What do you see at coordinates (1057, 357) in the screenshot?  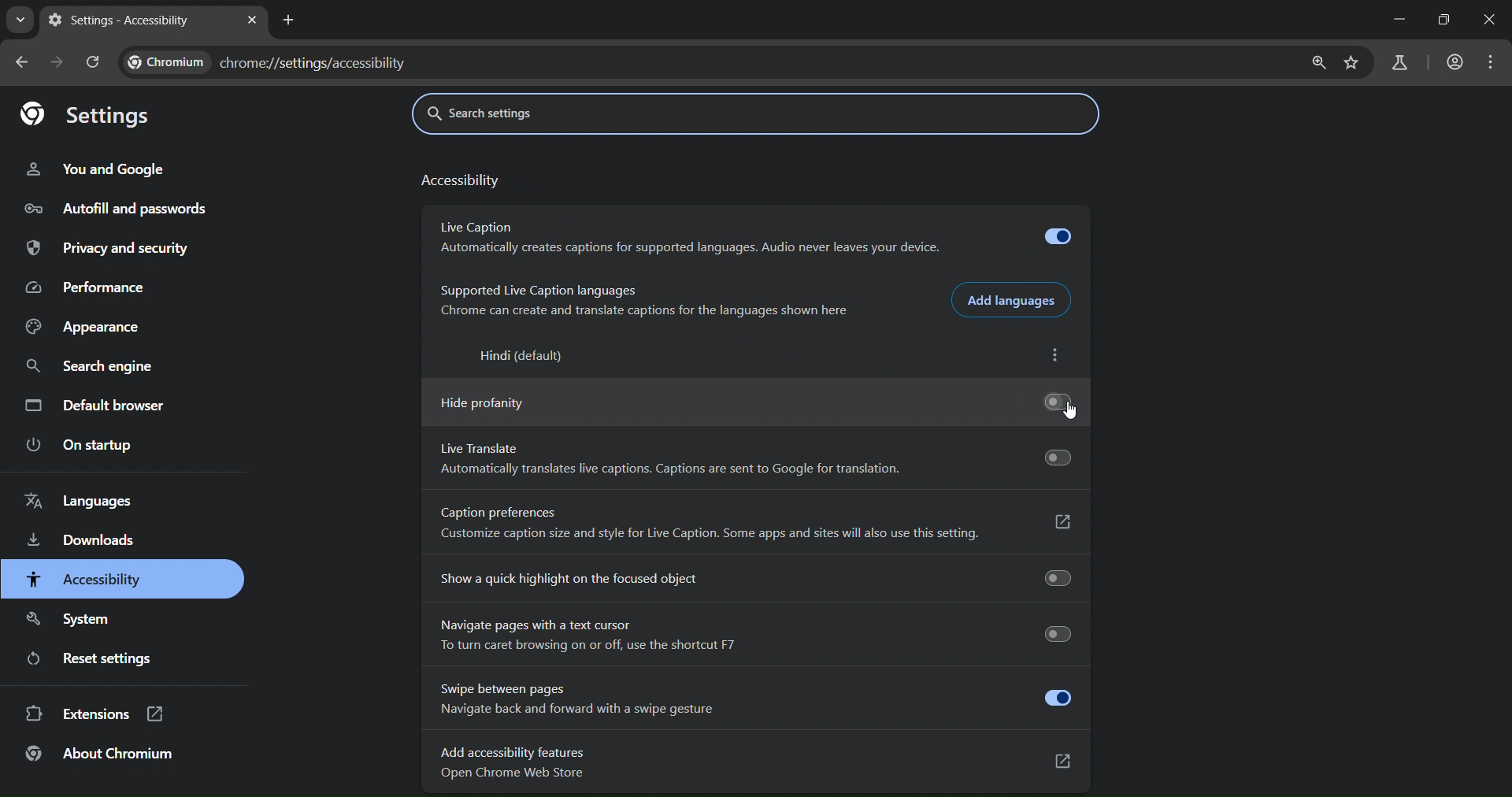 I see `more options` at bounding box center [1057, 357].